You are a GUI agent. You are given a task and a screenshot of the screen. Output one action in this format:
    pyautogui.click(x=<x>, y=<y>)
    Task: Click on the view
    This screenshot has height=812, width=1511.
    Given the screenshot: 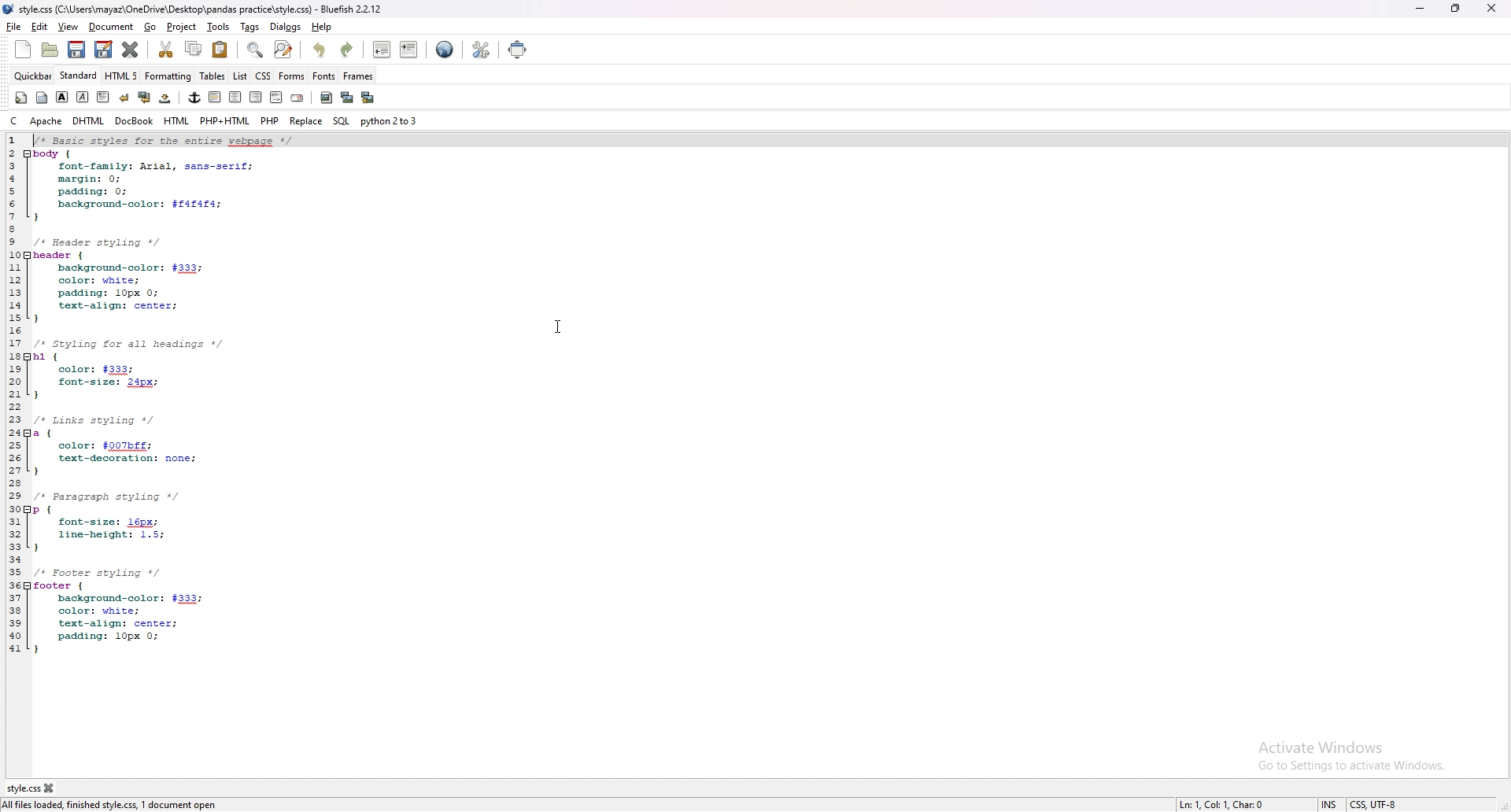 What is the action you would take?
    pyautogui.click(x=68, y=27)
    